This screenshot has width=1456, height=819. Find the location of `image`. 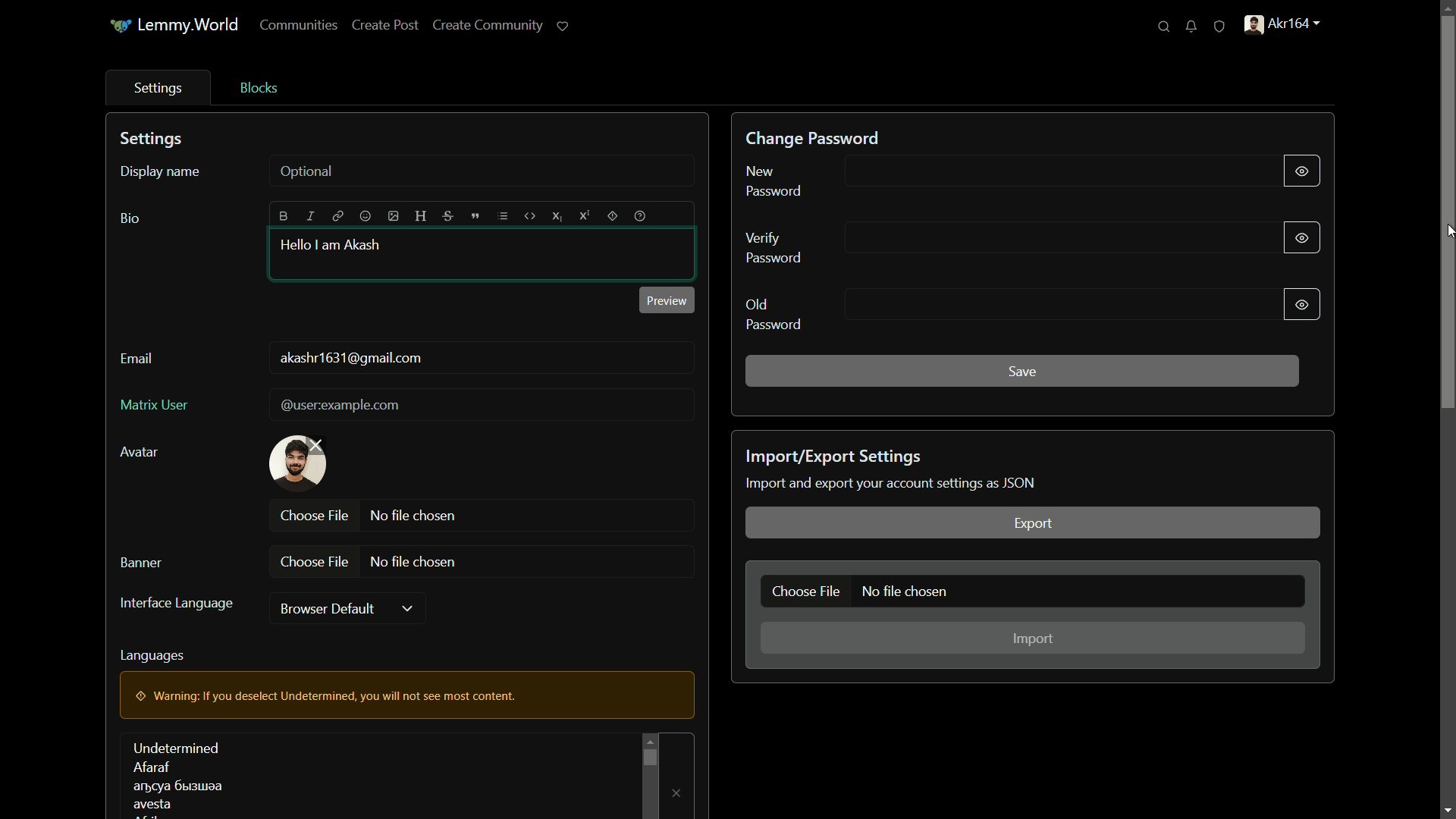

image is located at coordinates (393, 216).